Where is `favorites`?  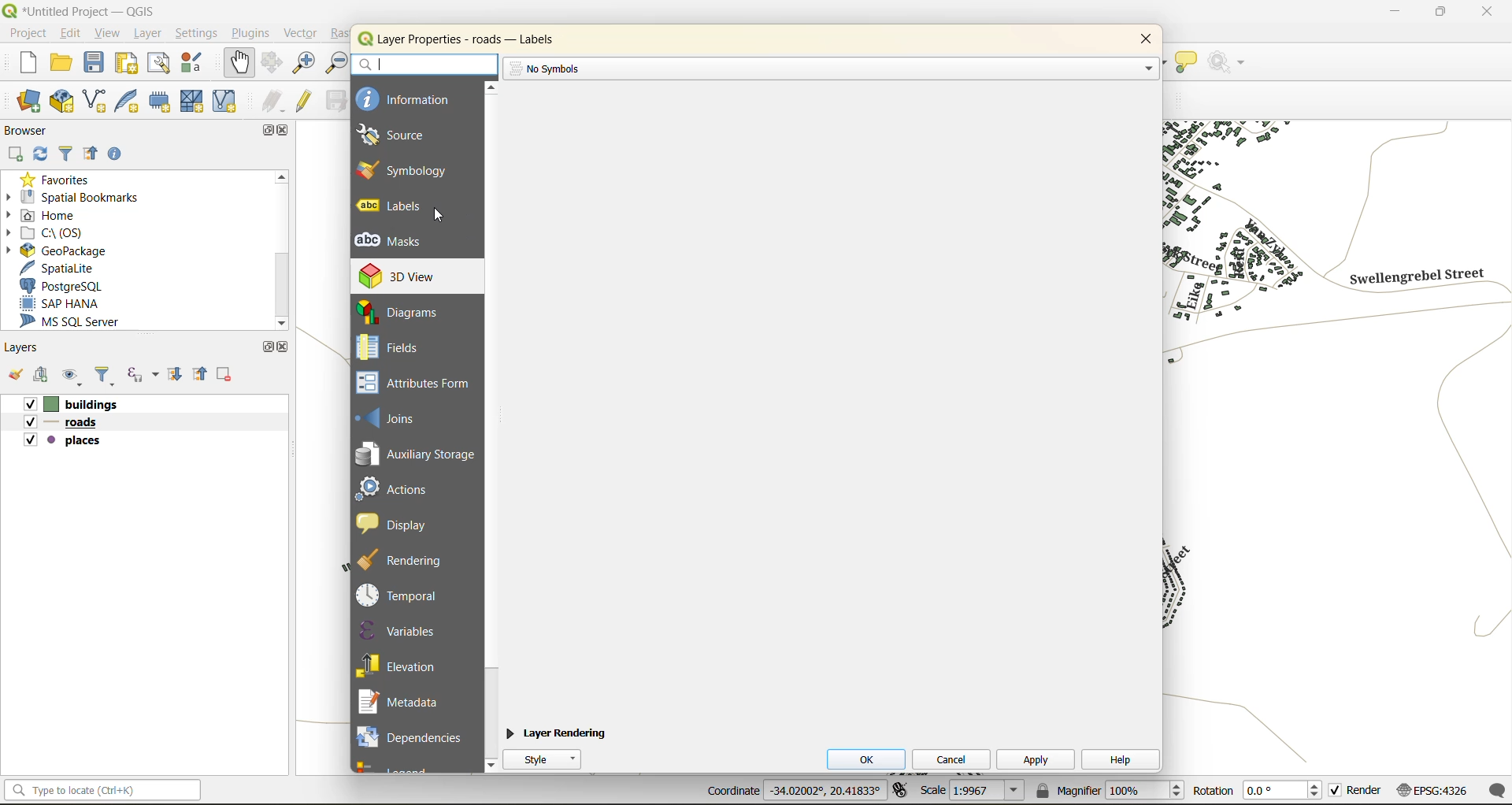 favorites is located at coordinates (59, 181).